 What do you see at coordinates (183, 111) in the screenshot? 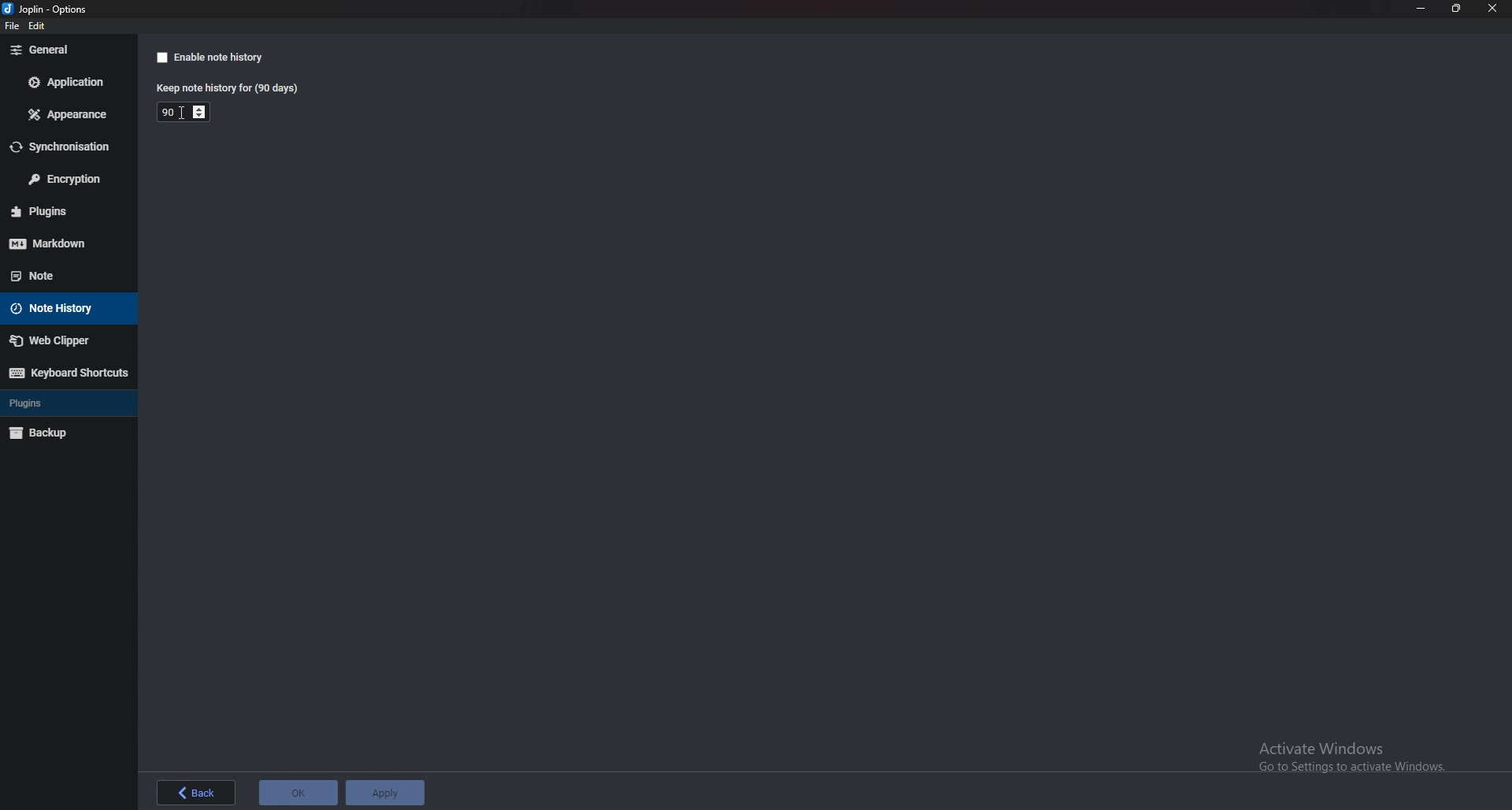
I see `Duration` at bounding box center [183, 111].